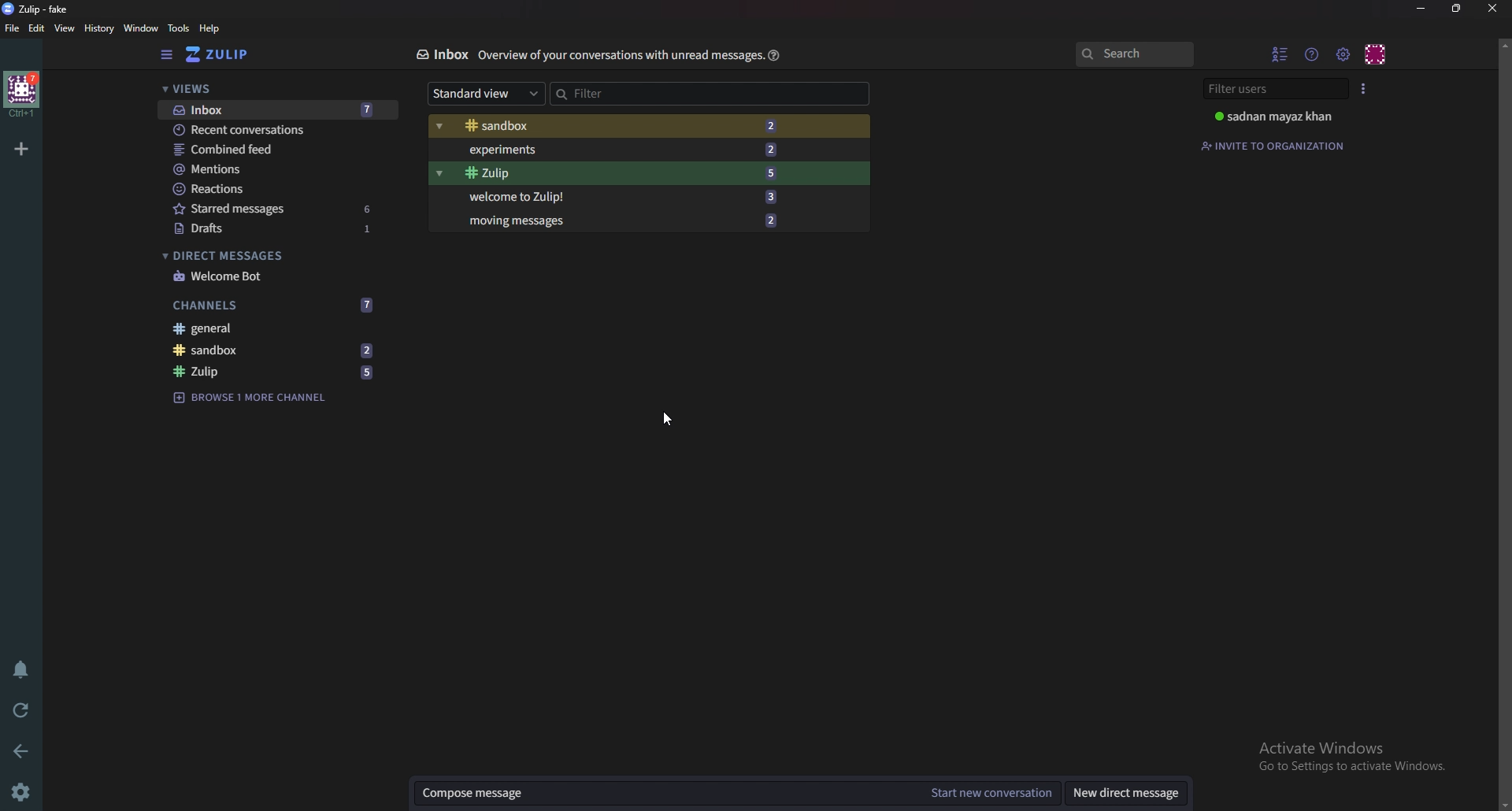 This screenshot has width=1512, height=811. I want to click on Edit, so click(37, 28).